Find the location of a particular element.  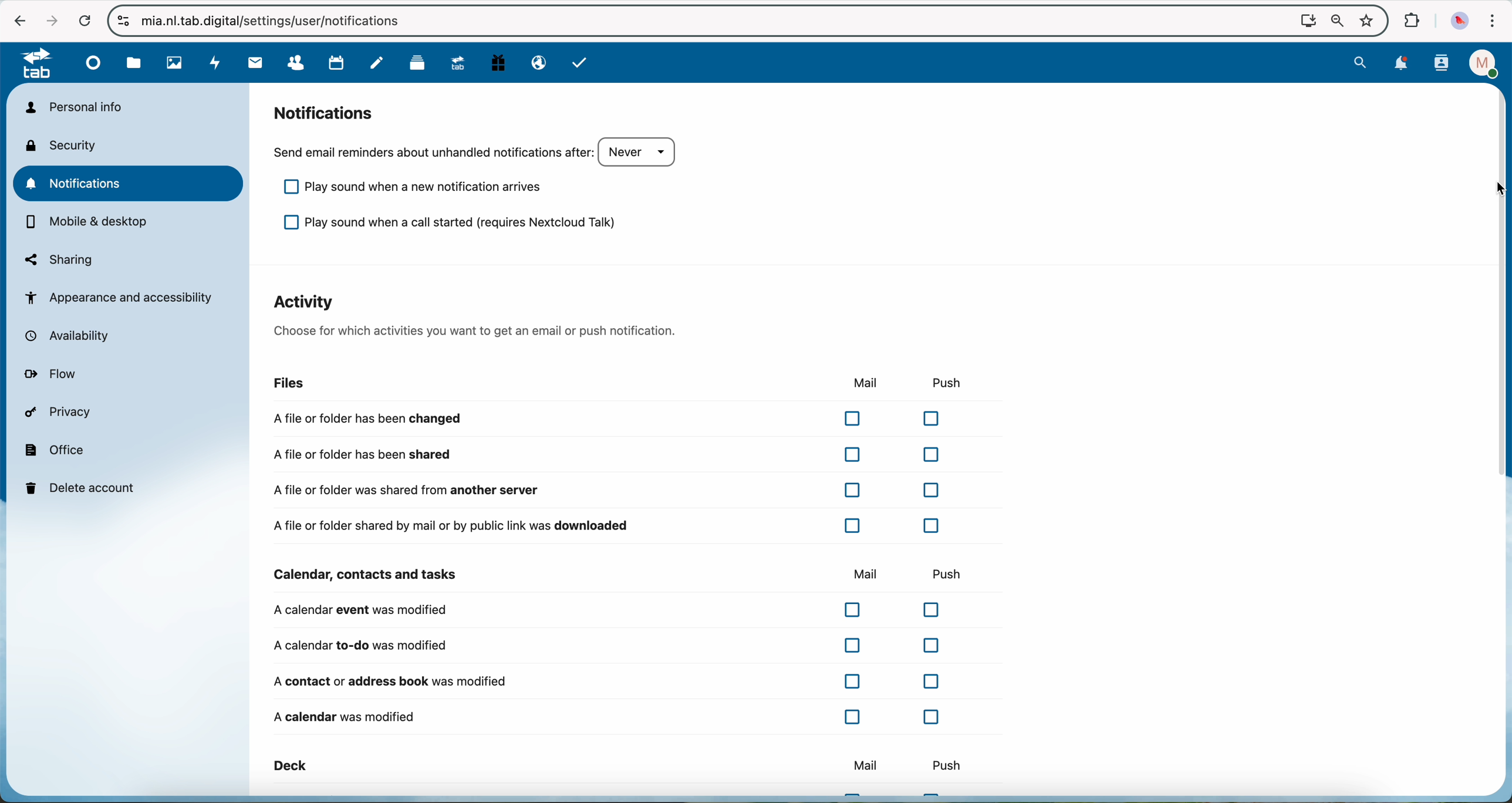

office is located at coordinates (56, 449).